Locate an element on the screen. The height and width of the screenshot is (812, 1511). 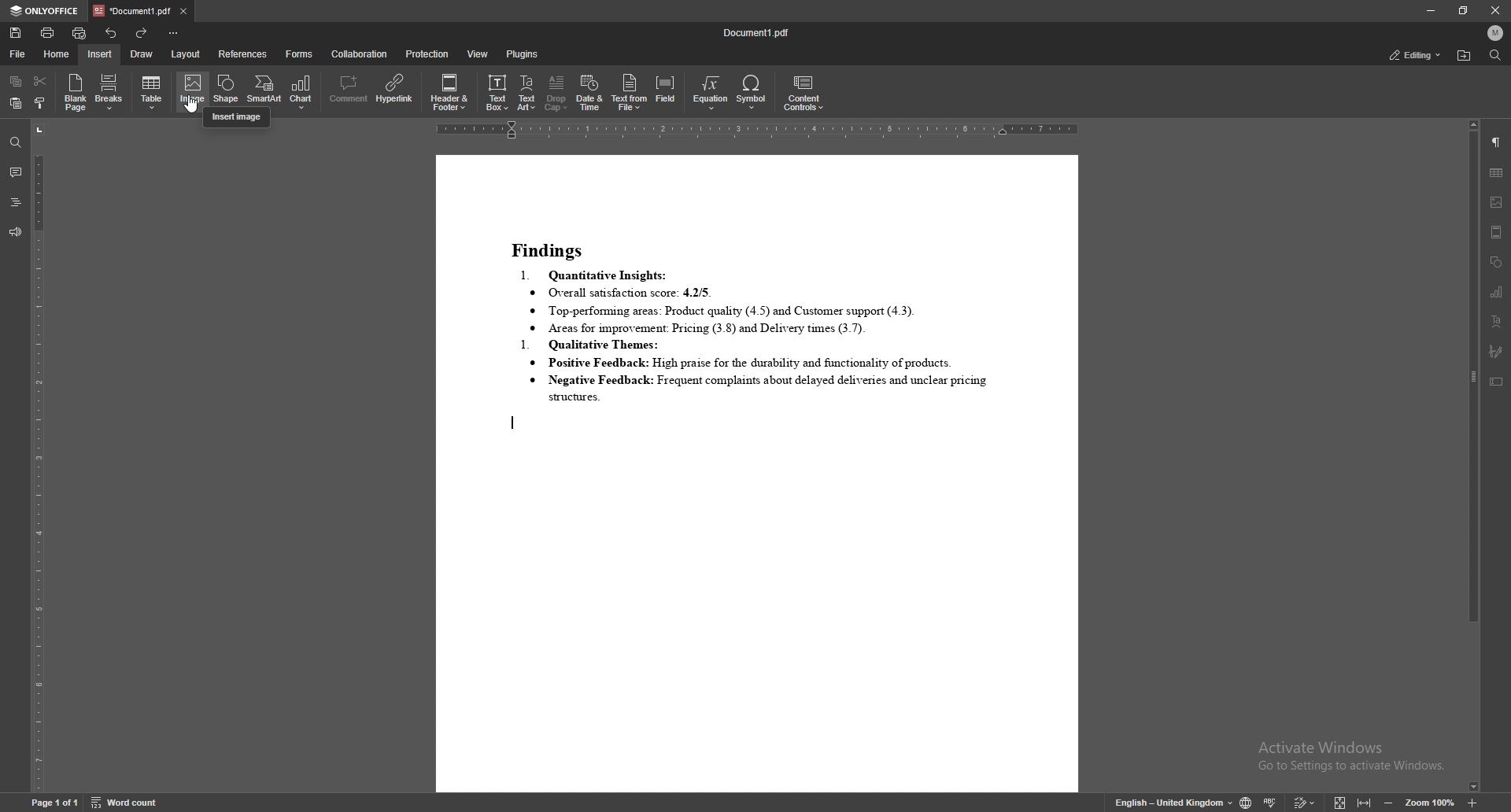
document is located at coordinates (758, 473).